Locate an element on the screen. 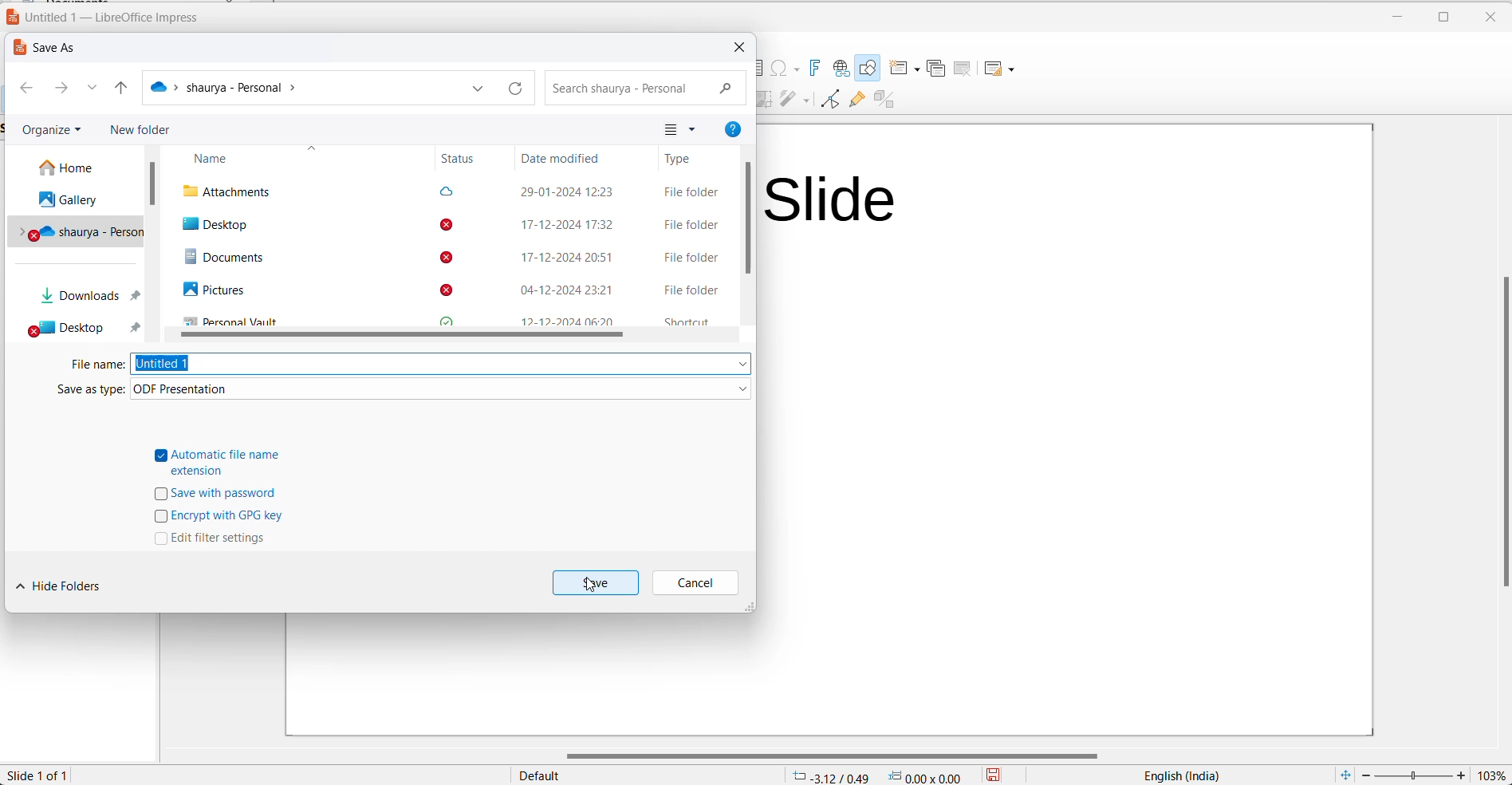  FORMAT OPTIONS is located at coordinates (442, 389).